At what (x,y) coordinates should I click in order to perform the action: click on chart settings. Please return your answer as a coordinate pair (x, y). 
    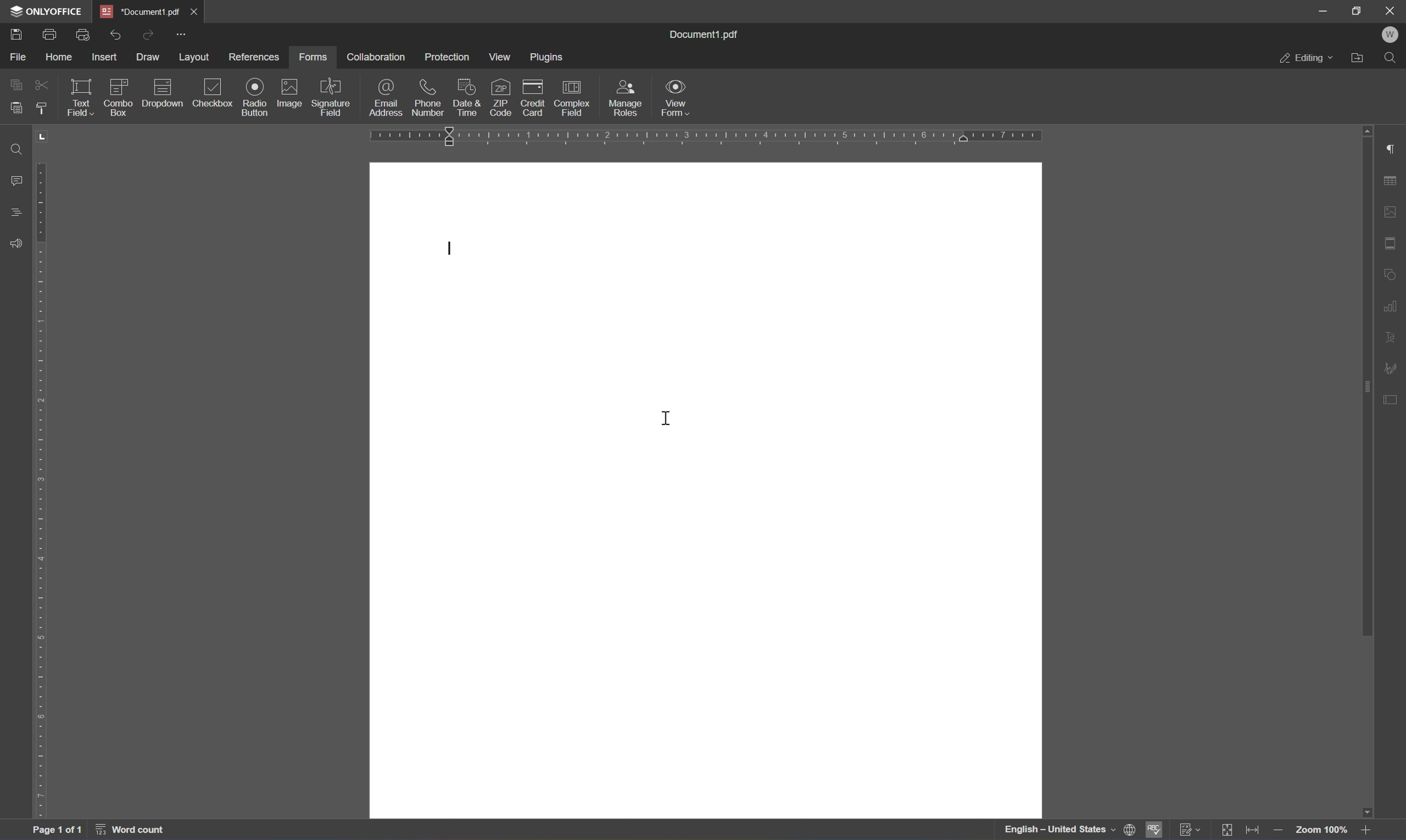
    Looking at the image, I should click on (1394, 305).